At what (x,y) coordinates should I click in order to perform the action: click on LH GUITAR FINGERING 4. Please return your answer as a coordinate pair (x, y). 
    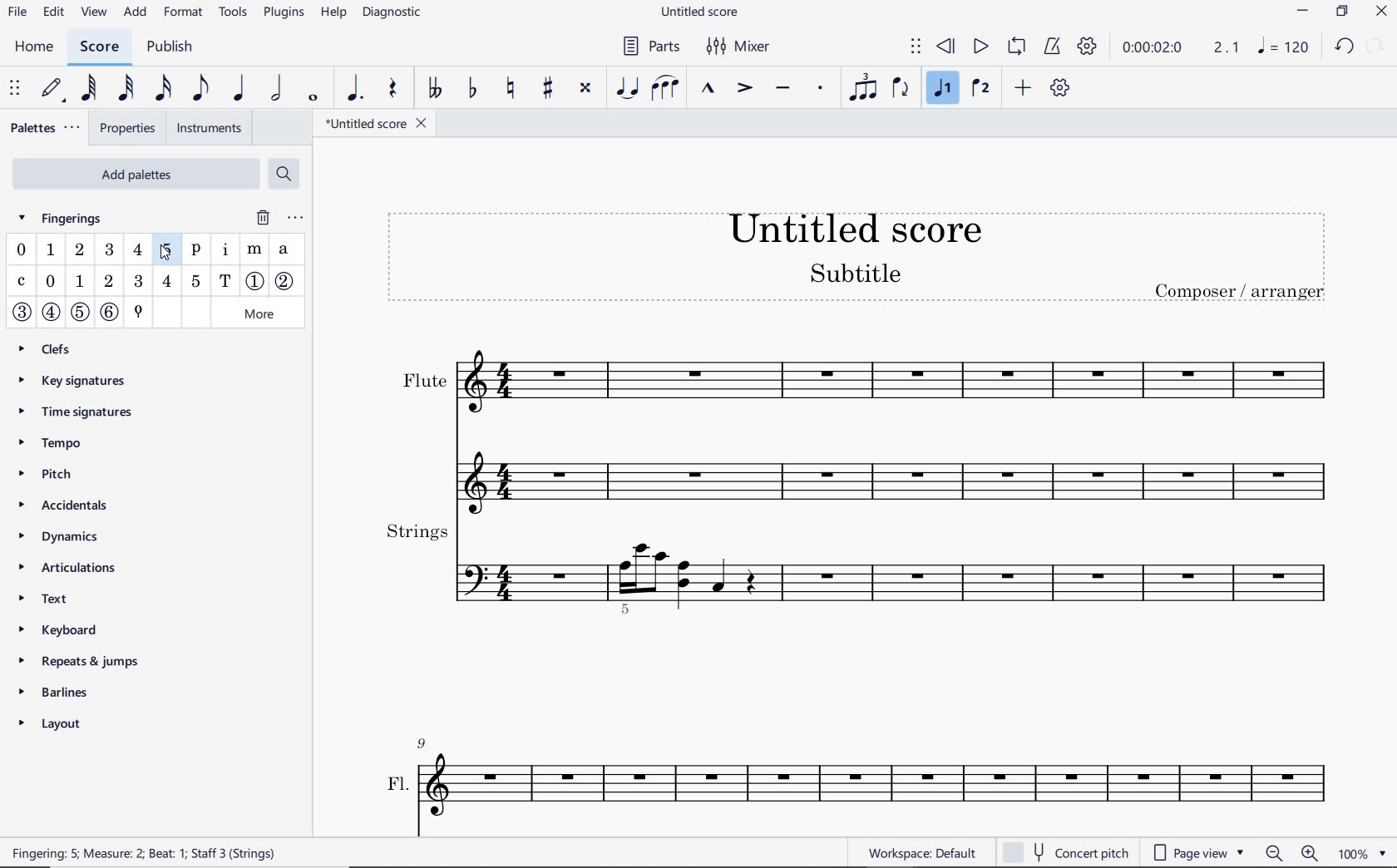
    Looking at the image, I should click on (166, 283).